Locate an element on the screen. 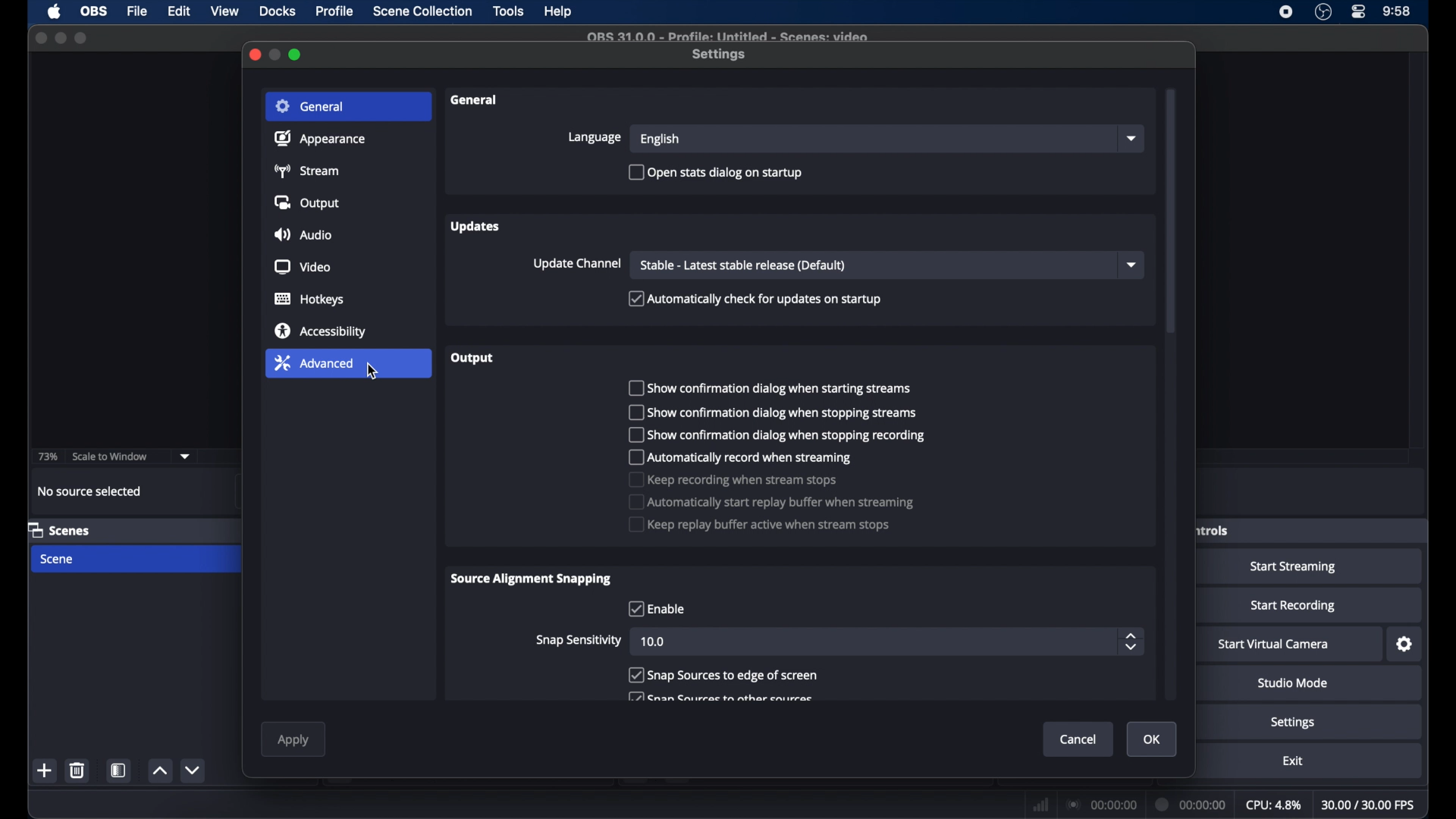  exit is located at coordinates (1292, 761).